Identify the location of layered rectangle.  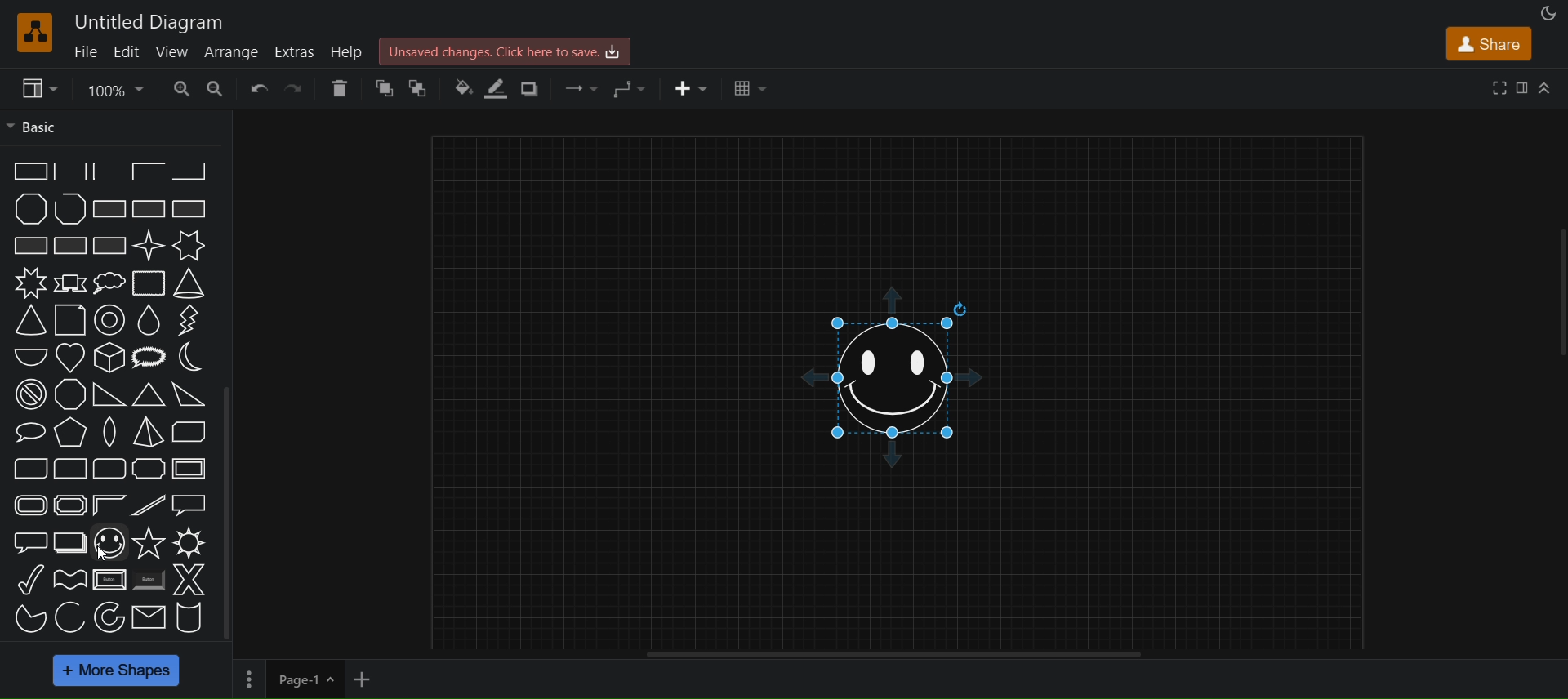
(69, 543).